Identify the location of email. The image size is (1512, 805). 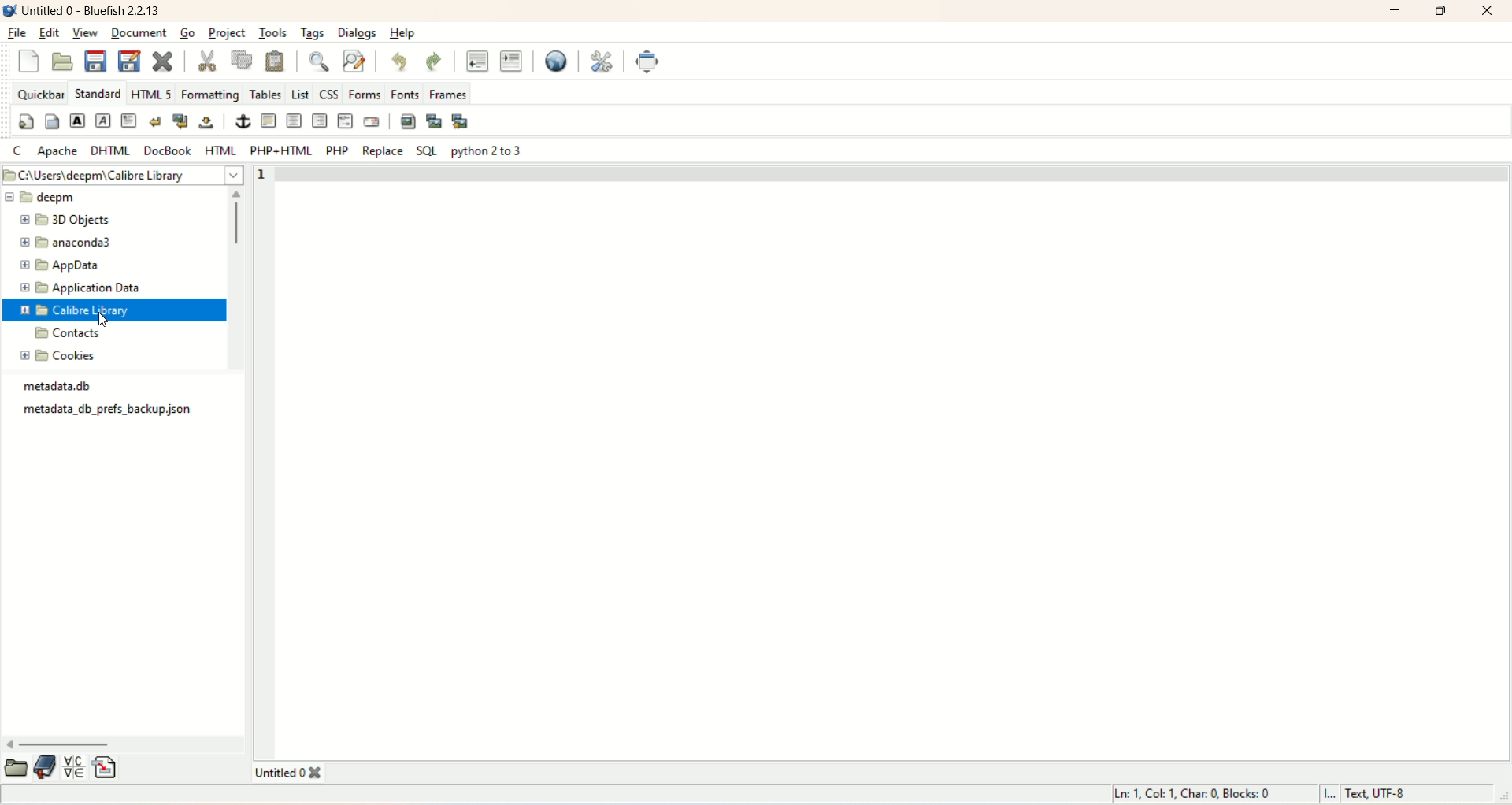
(372, 122).